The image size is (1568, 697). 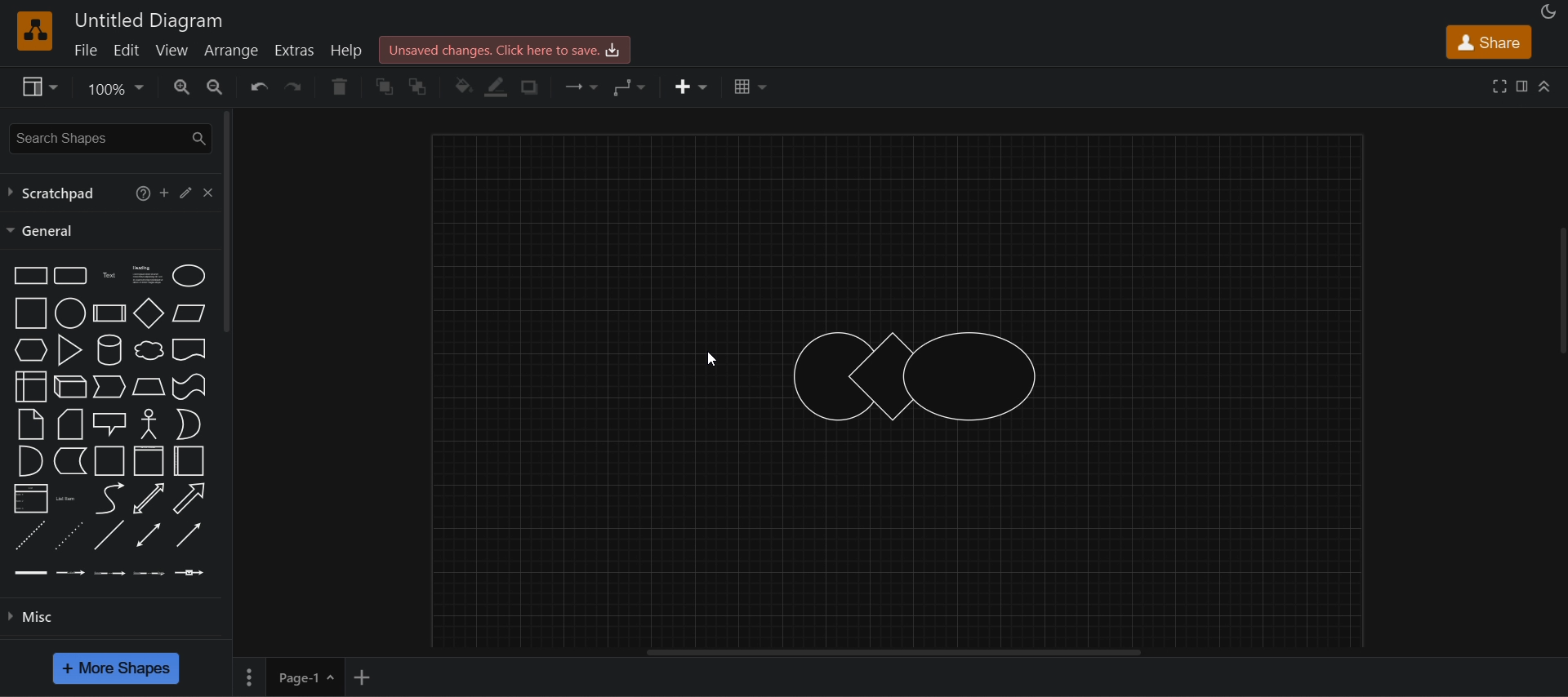 What do you see at coordinates (109, 422) in the screenshot?
I see `call out` at bounding box center [109, 422].